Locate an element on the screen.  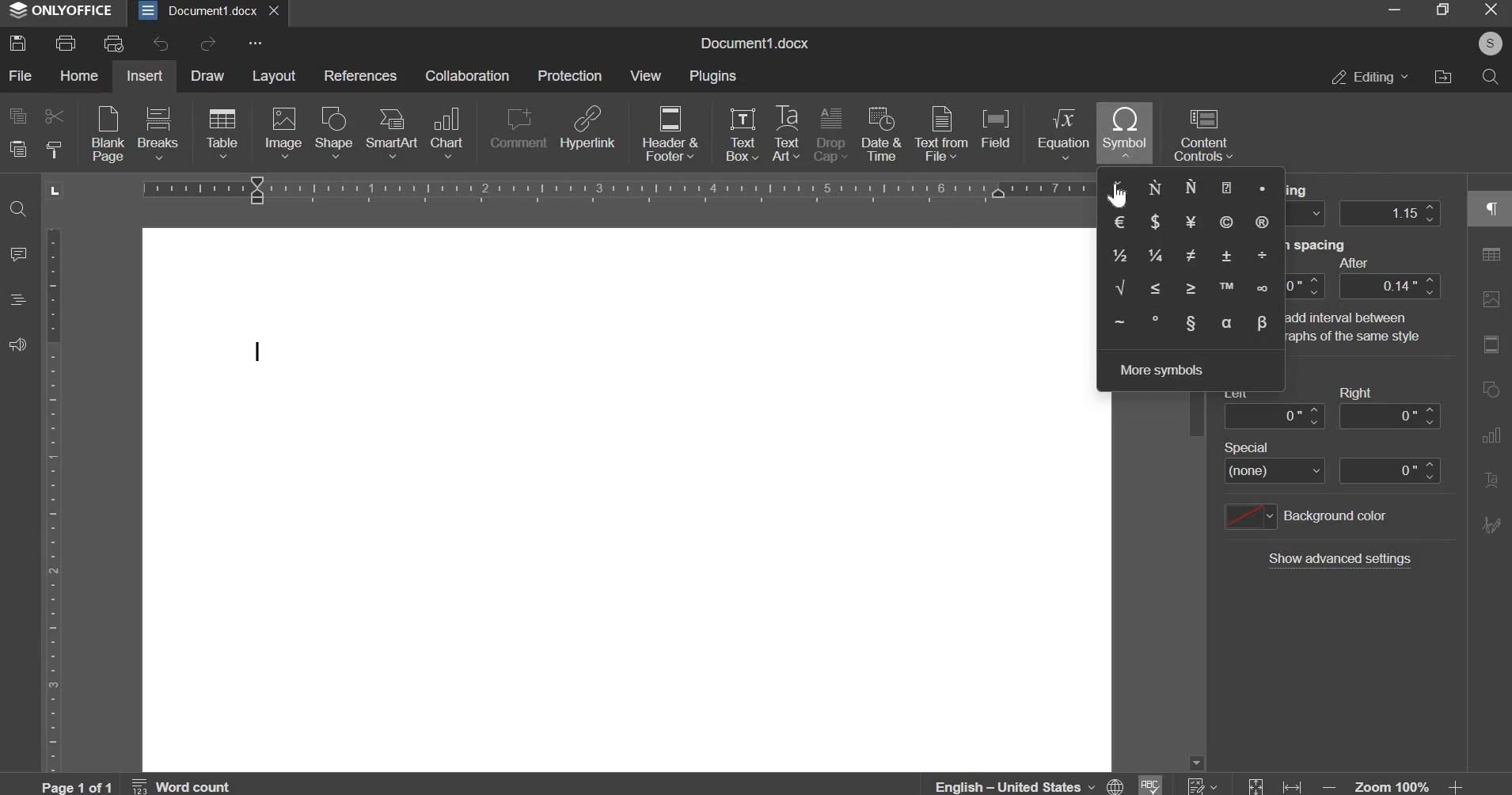
references is located at coordinates (361, 75).